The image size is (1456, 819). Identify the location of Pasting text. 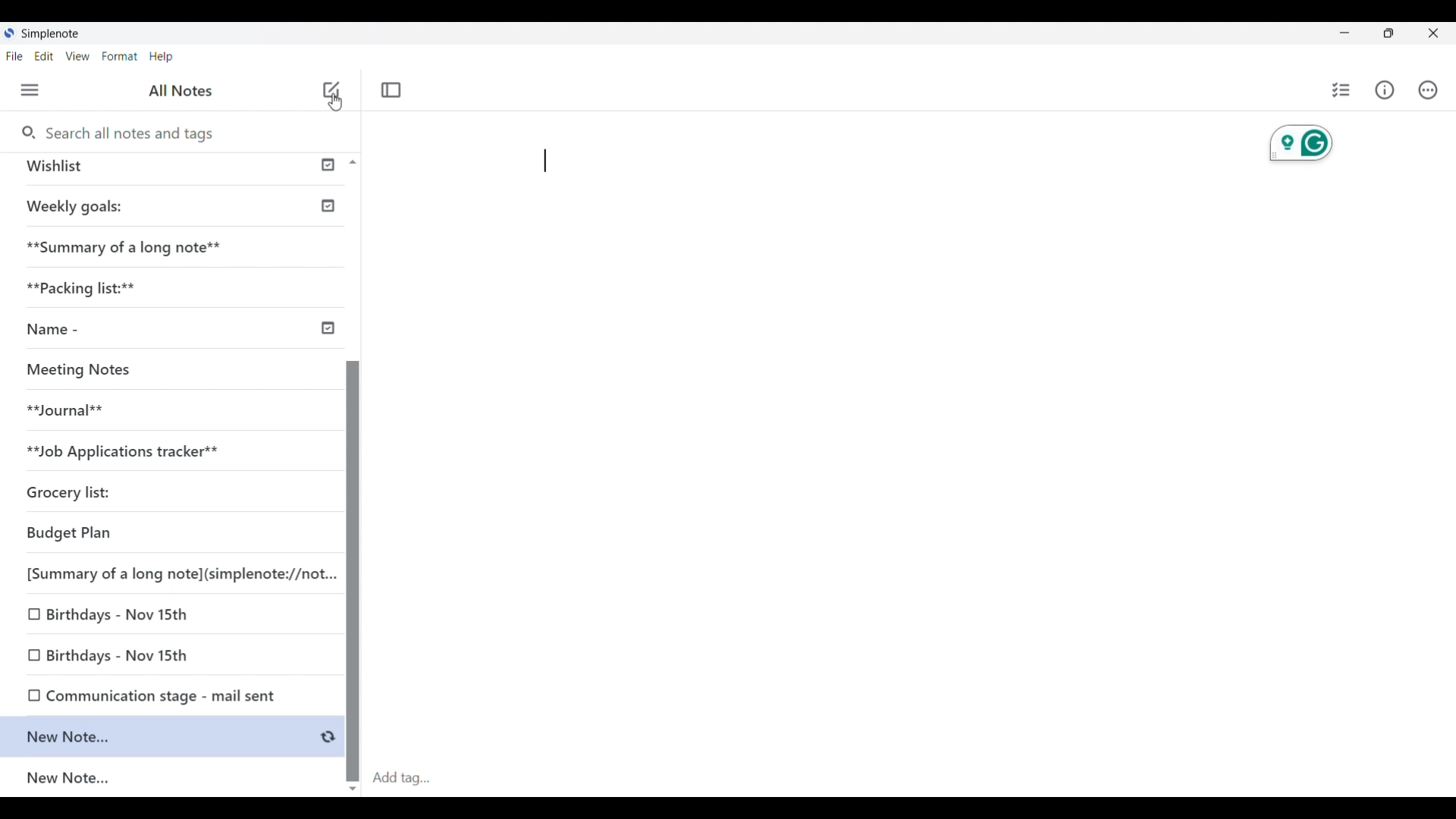
(545, 161).